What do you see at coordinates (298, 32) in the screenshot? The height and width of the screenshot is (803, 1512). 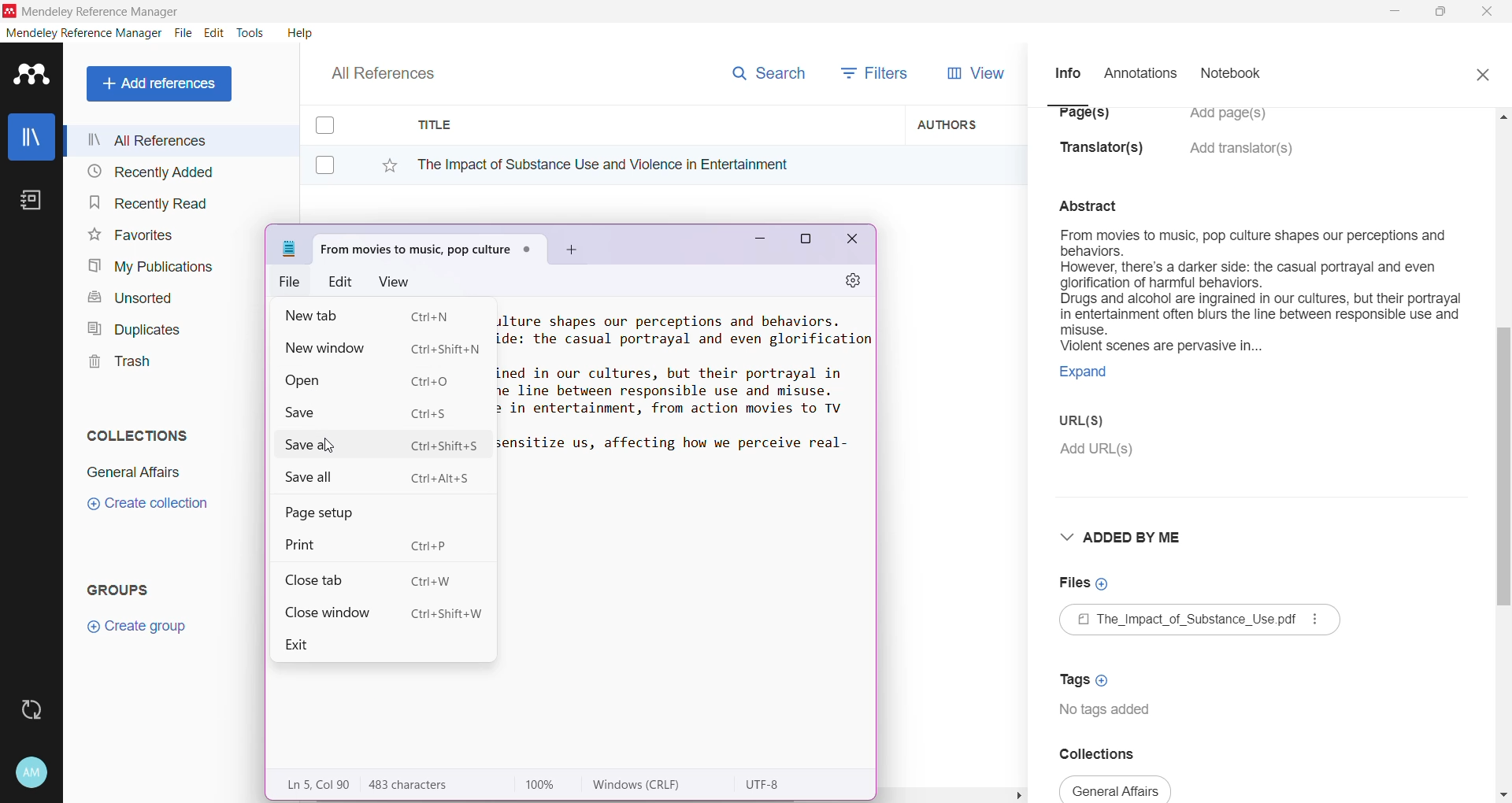 I see `Help` at bounding box center [298, 32].